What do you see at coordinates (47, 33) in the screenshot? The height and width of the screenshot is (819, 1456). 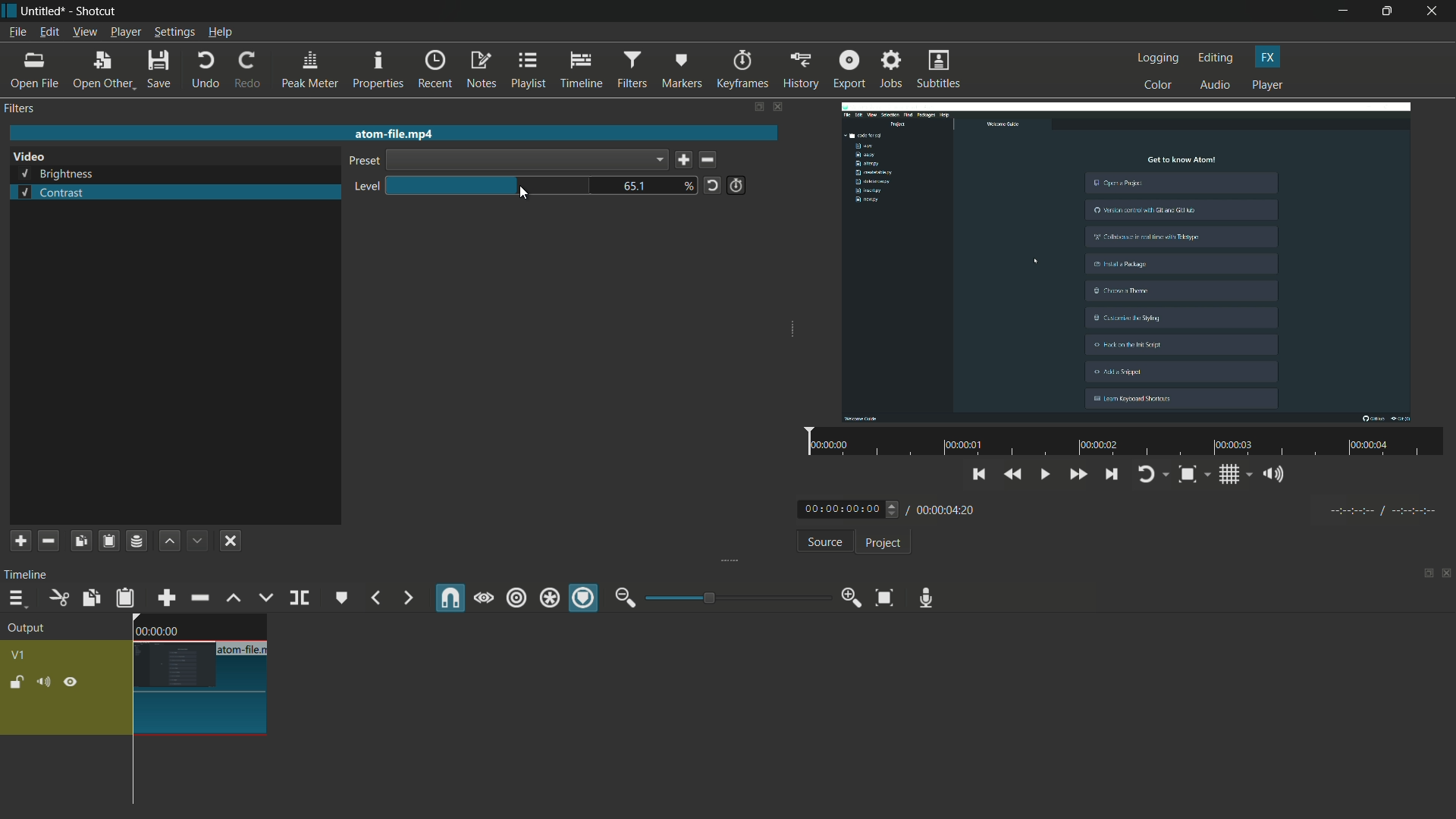 I see `edit menu` at bounding box center [47, 33].